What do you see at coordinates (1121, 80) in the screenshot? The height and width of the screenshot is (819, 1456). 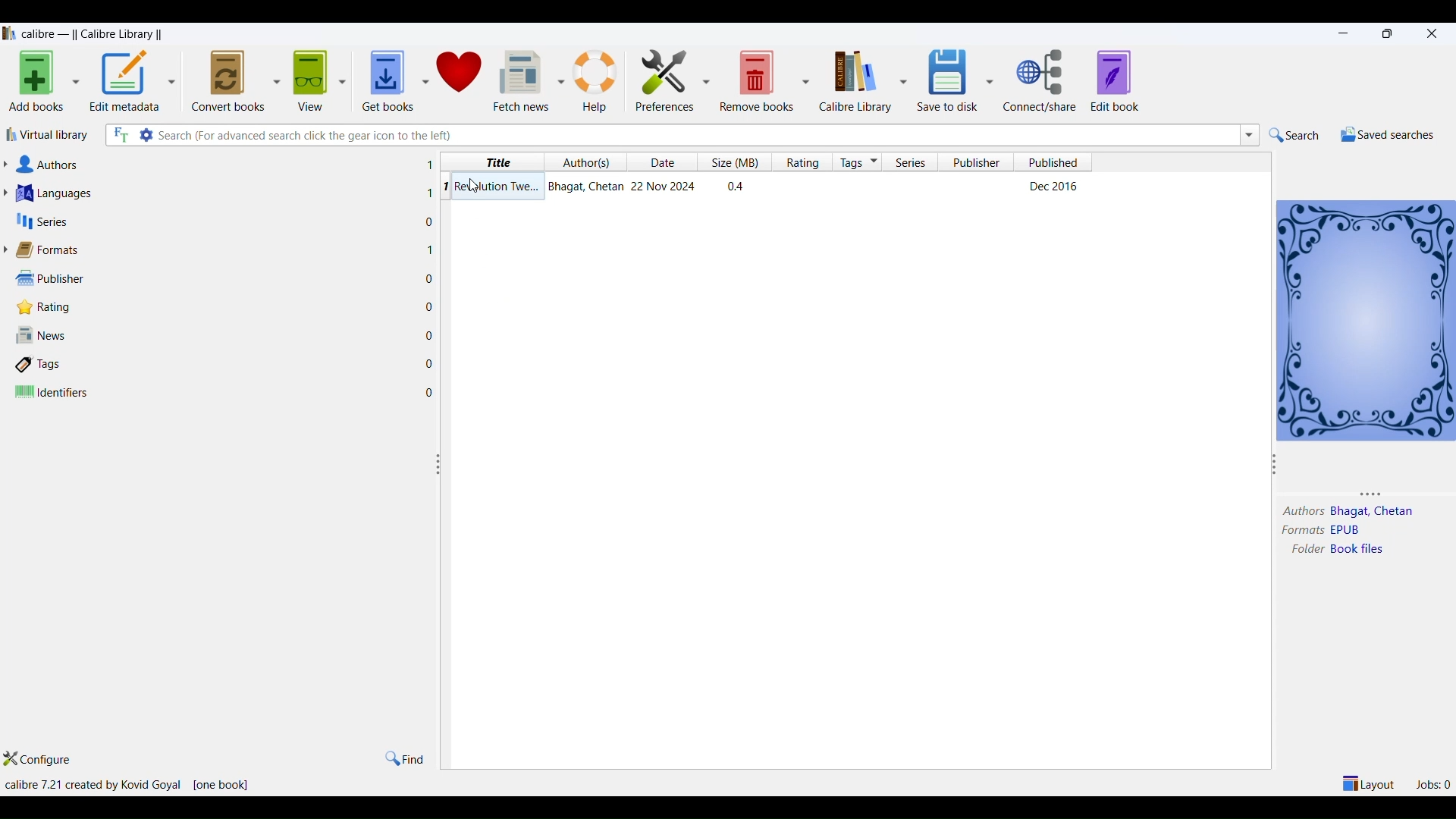 I see `edit book` at bounding box center [1121, 80].